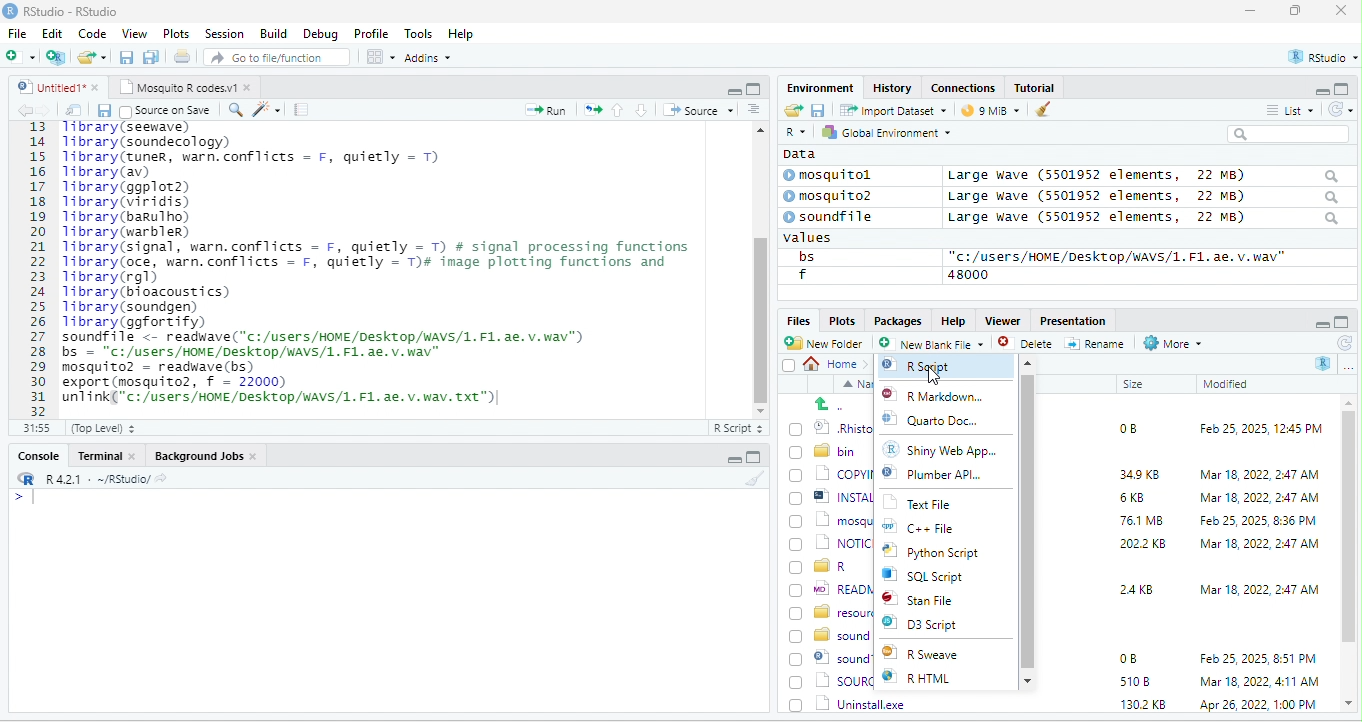 The width and height of the screenshot is (1362, 722). I want to click on RHTML, so click(932, 679).